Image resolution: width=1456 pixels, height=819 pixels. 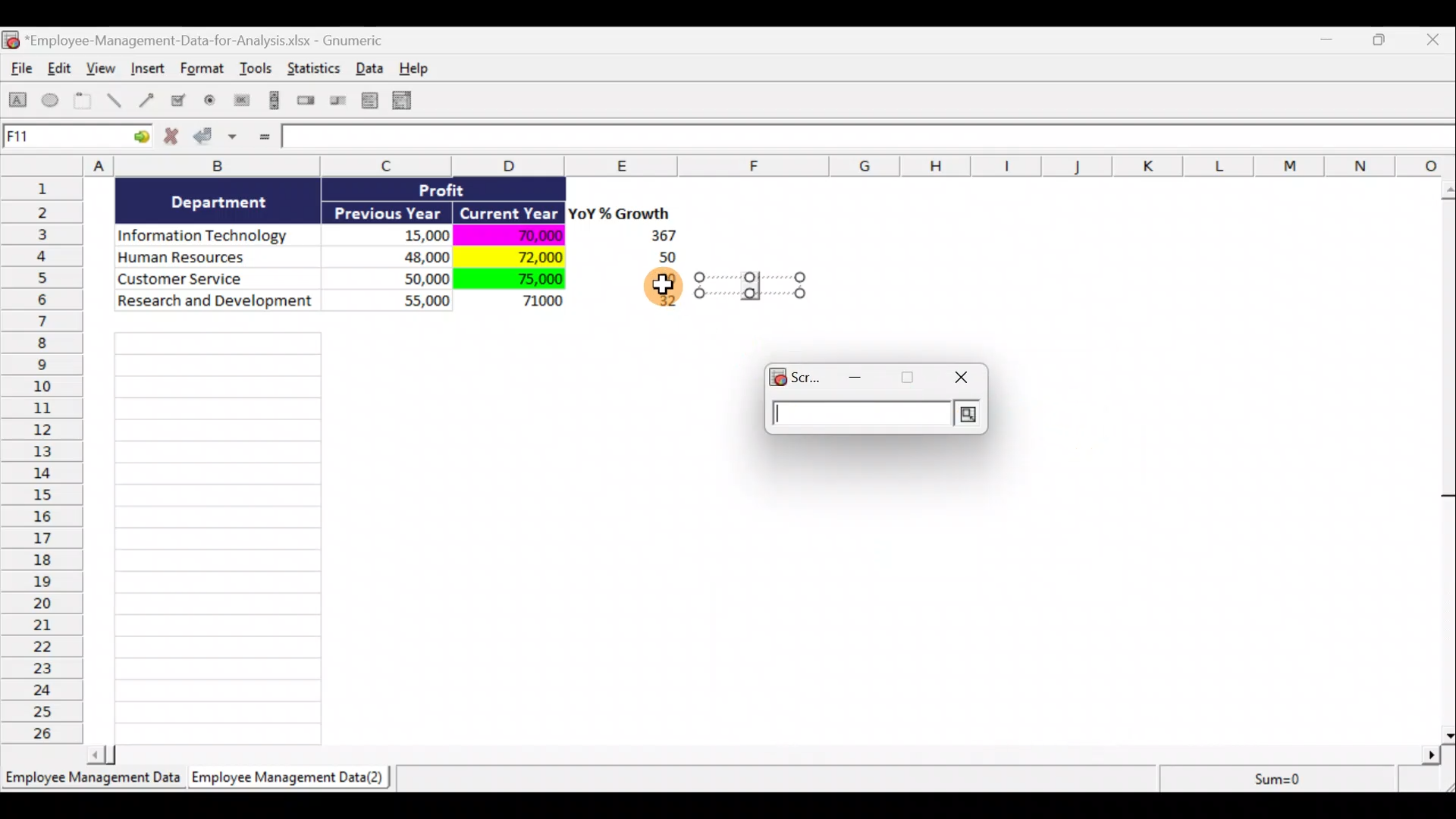 What do you see at coordinates (240, 104) in the screenshot?
I see `Create a button` at bounding box center [240, 104].